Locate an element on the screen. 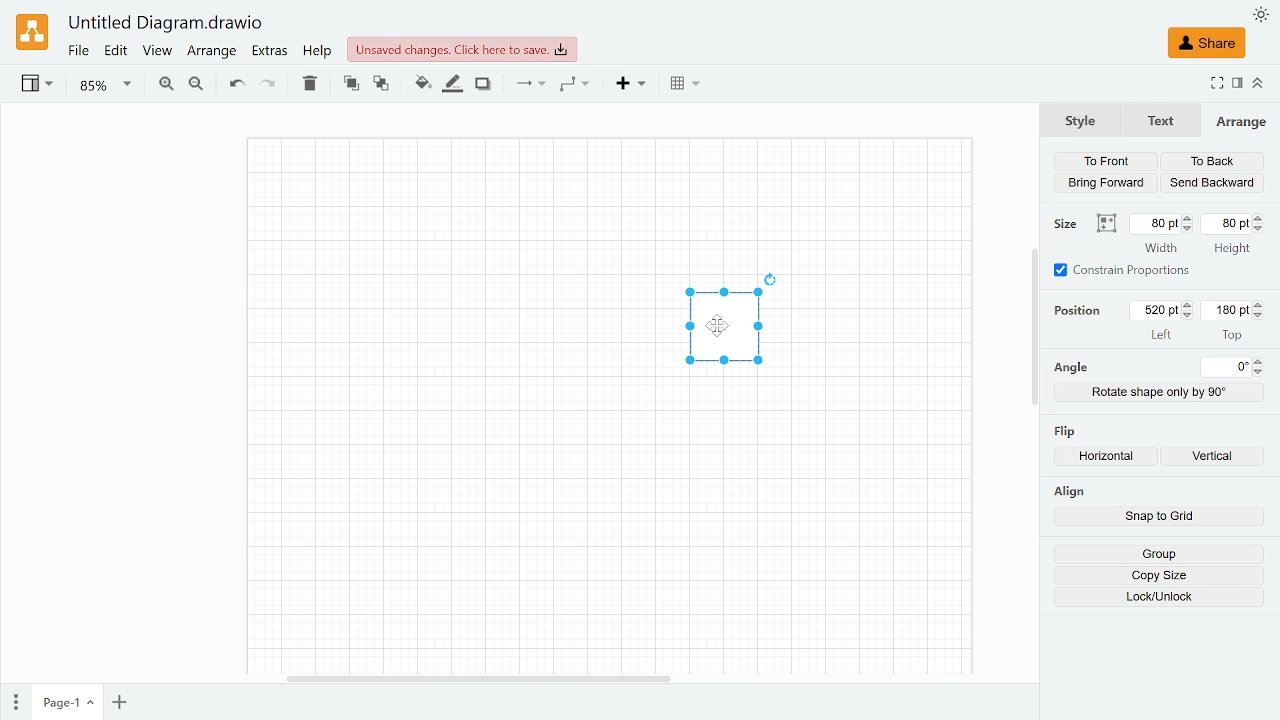 Image resolution: width=1280 pixels, height=720 pixels. Cursor is located at coordinates (725, 330).